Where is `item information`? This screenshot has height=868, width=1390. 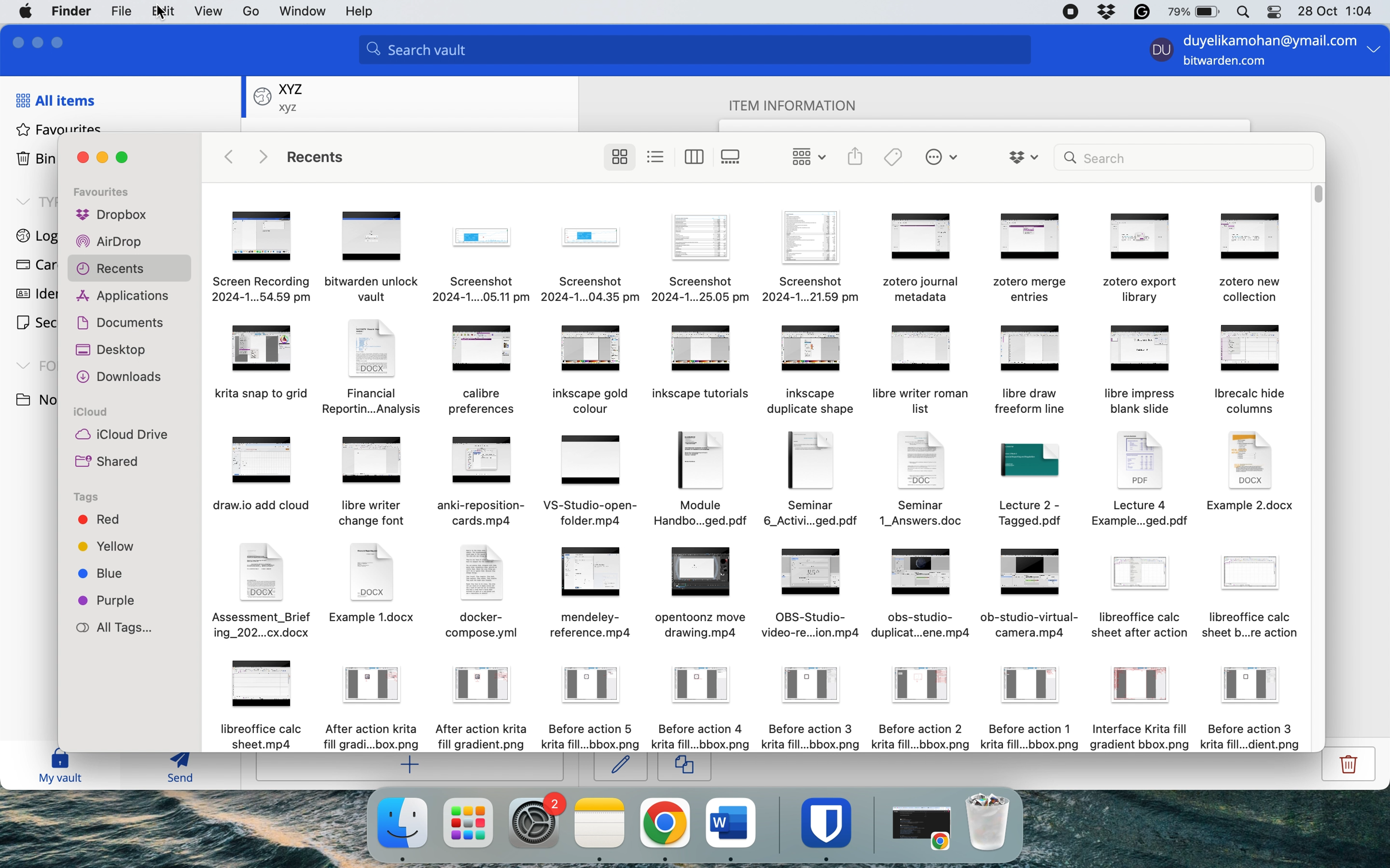
item information is located at coordinates (804, 103).